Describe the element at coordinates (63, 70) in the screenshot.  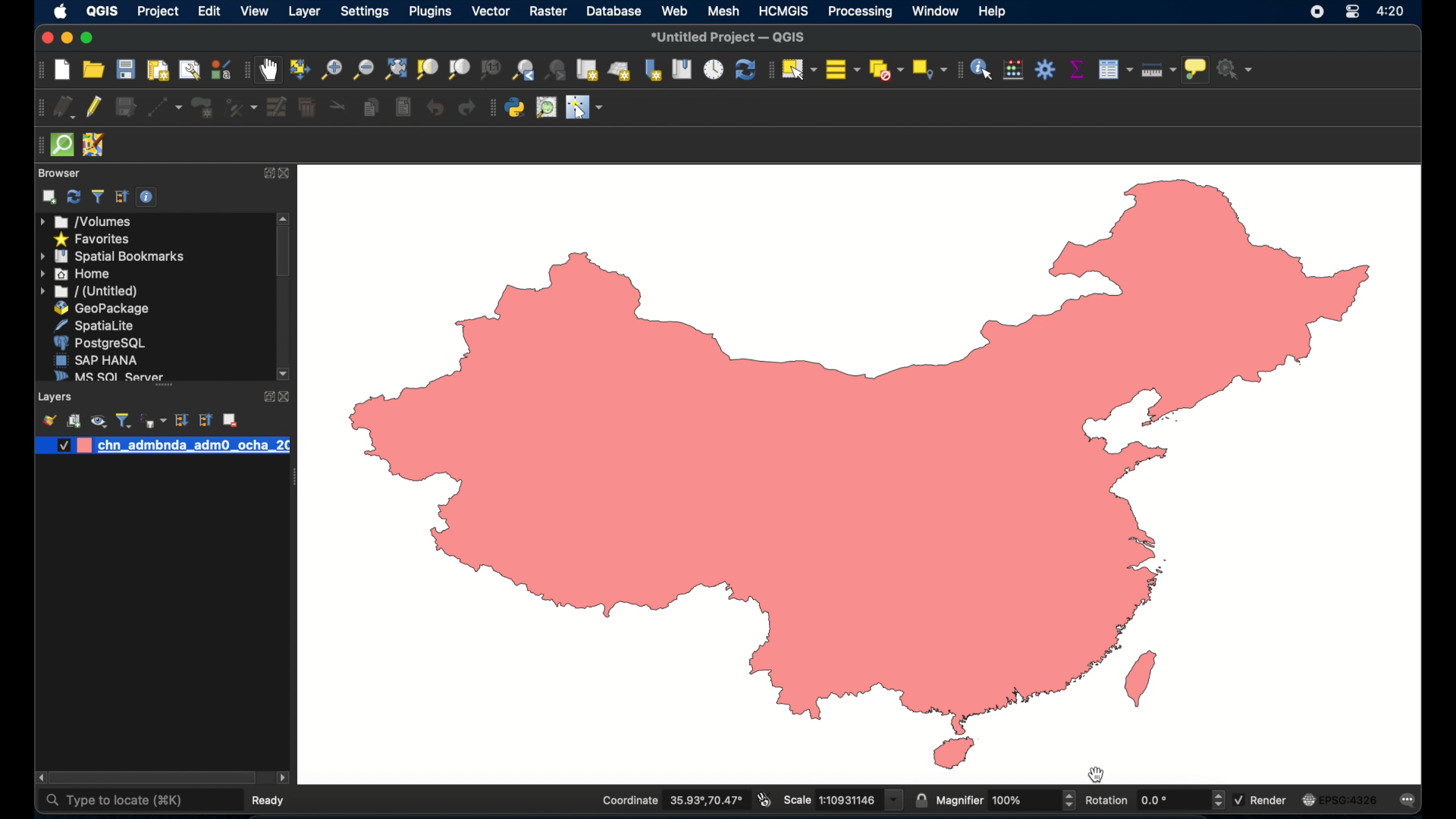
I see `new project` at that location.